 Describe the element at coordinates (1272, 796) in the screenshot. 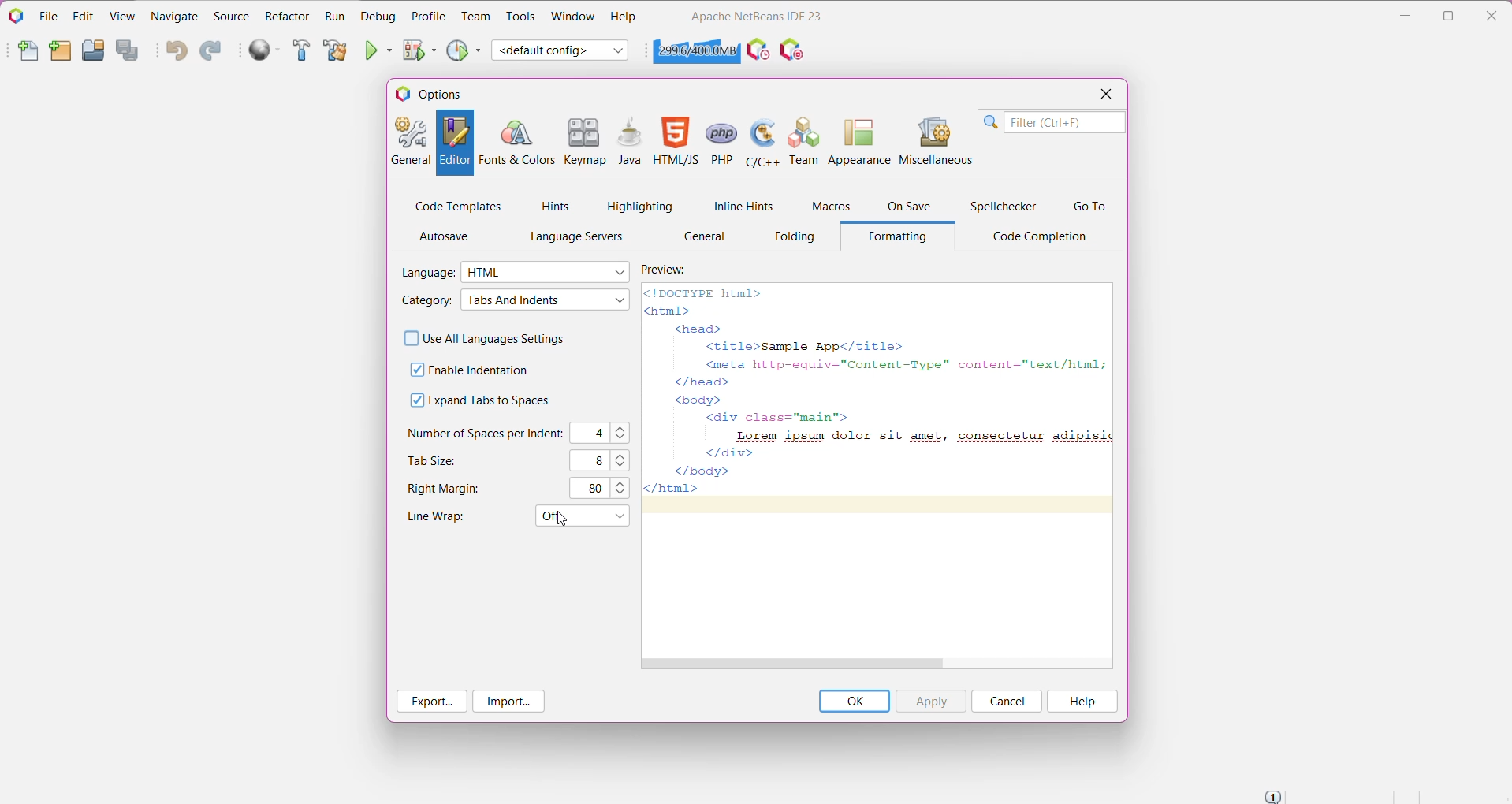

I see `Notifications` at that location.